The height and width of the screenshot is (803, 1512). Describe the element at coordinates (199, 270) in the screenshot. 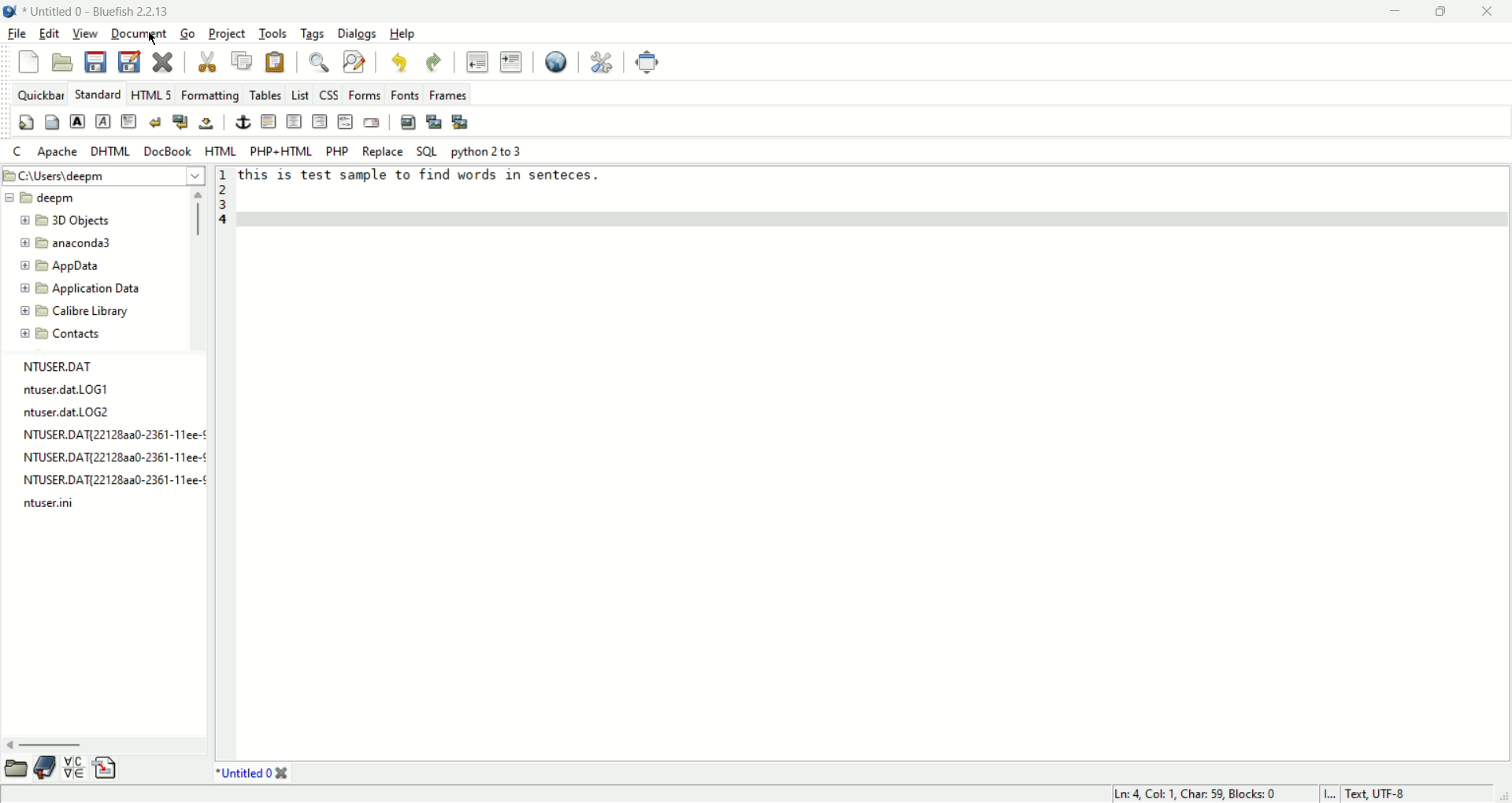

I see `scroll bar` at that location.